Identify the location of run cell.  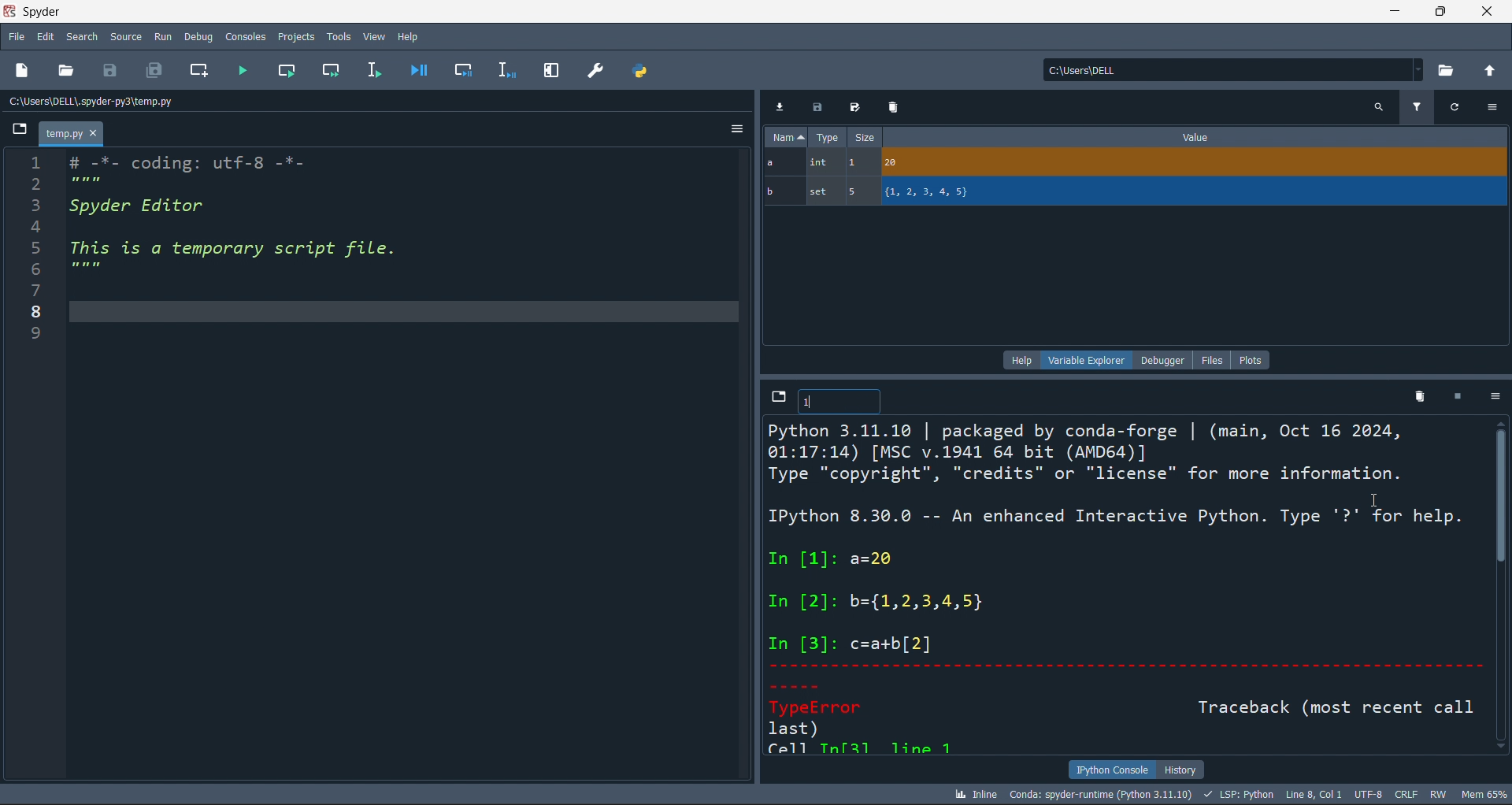
(293, 72).